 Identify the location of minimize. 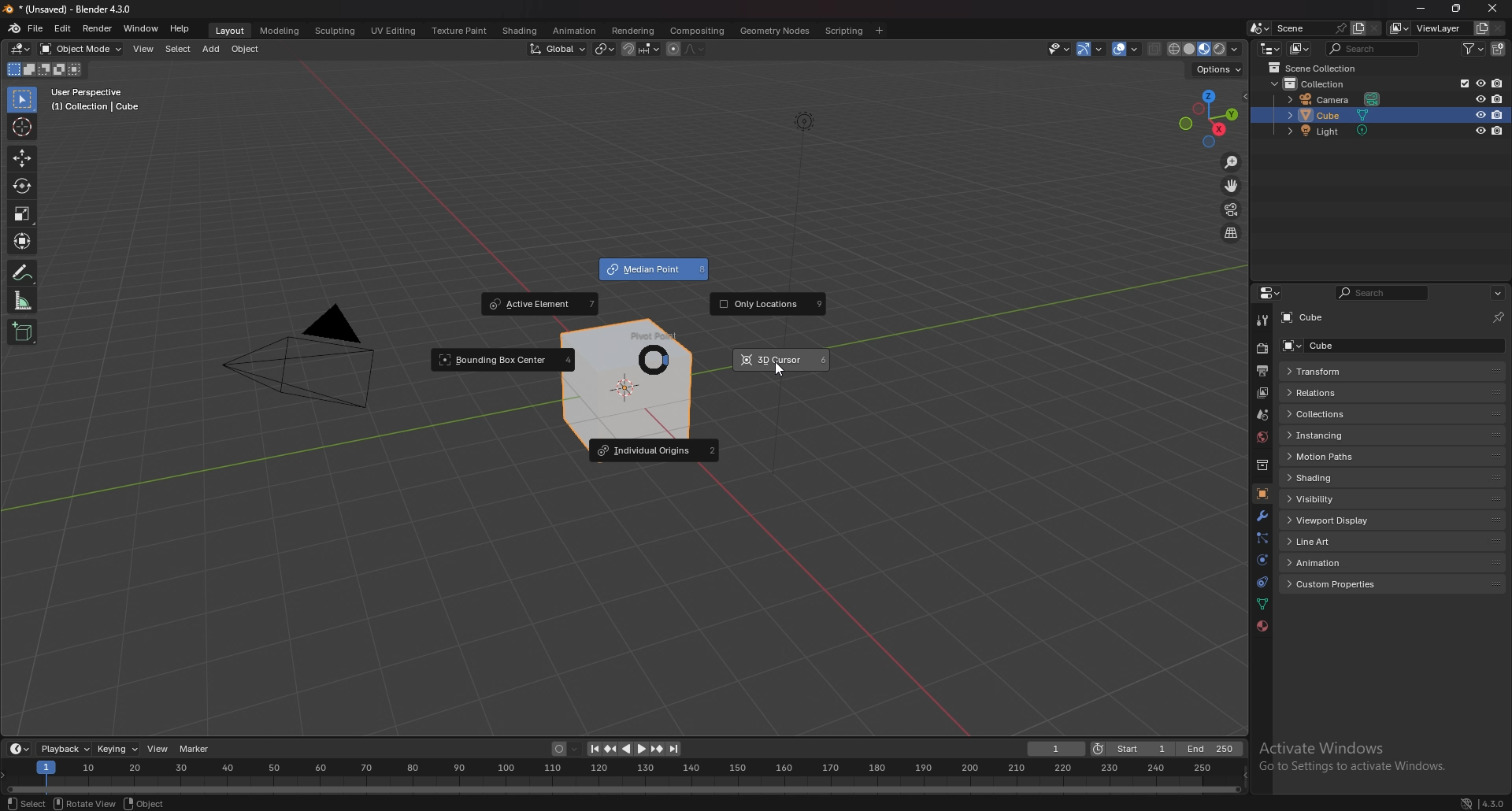
(1425, 9).